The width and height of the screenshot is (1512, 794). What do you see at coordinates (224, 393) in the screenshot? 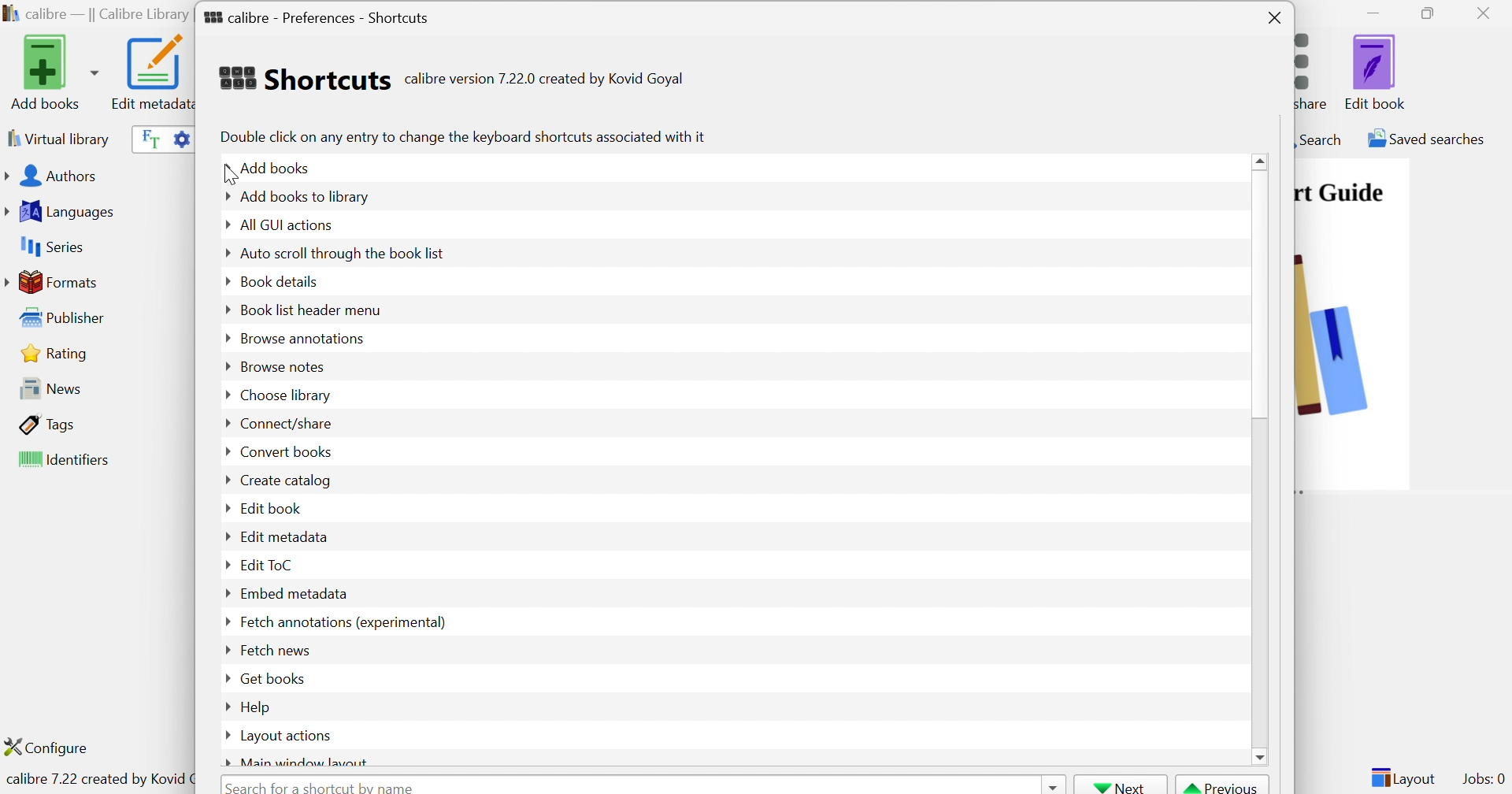
I see `Drop Down` at bounding box center [224, 393].